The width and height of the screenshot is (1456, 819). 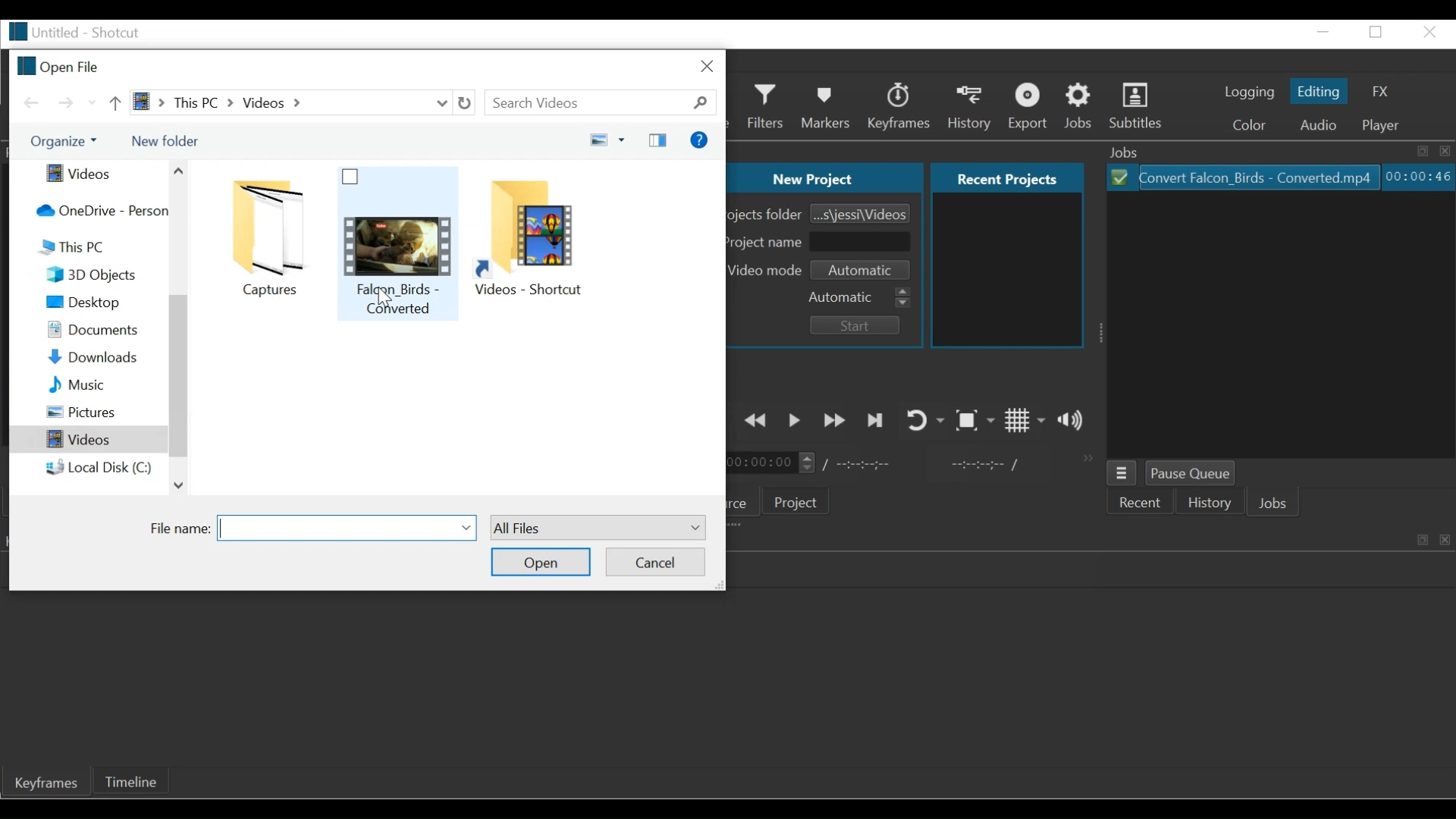 What do you see at coordinates (862, 243) in the screenshot?
I see `Project Name Field` at bounding box center [862, 243].